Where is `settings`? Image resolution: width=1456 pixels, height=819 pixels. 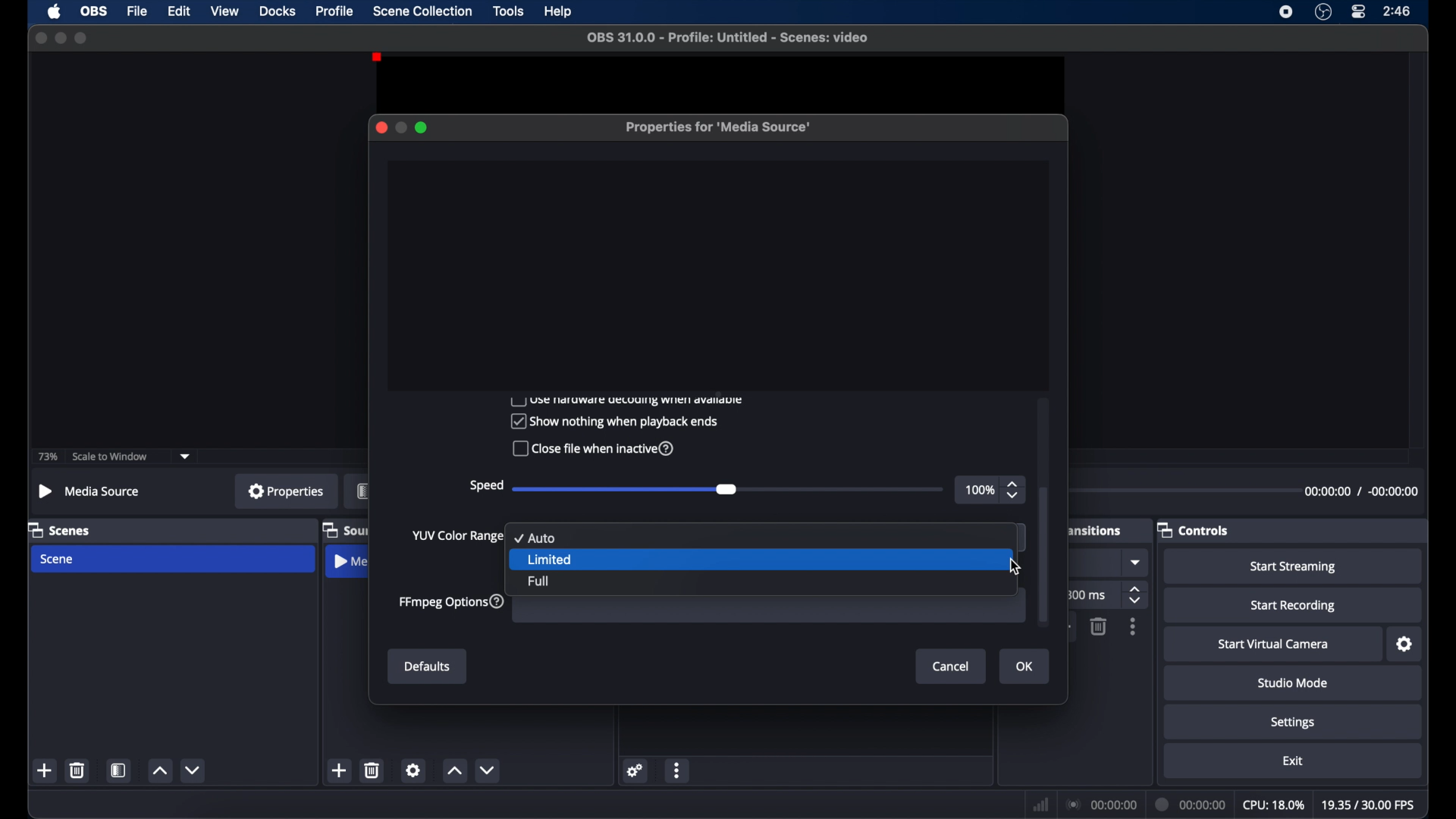 settings is located at coordinates (413, 770).